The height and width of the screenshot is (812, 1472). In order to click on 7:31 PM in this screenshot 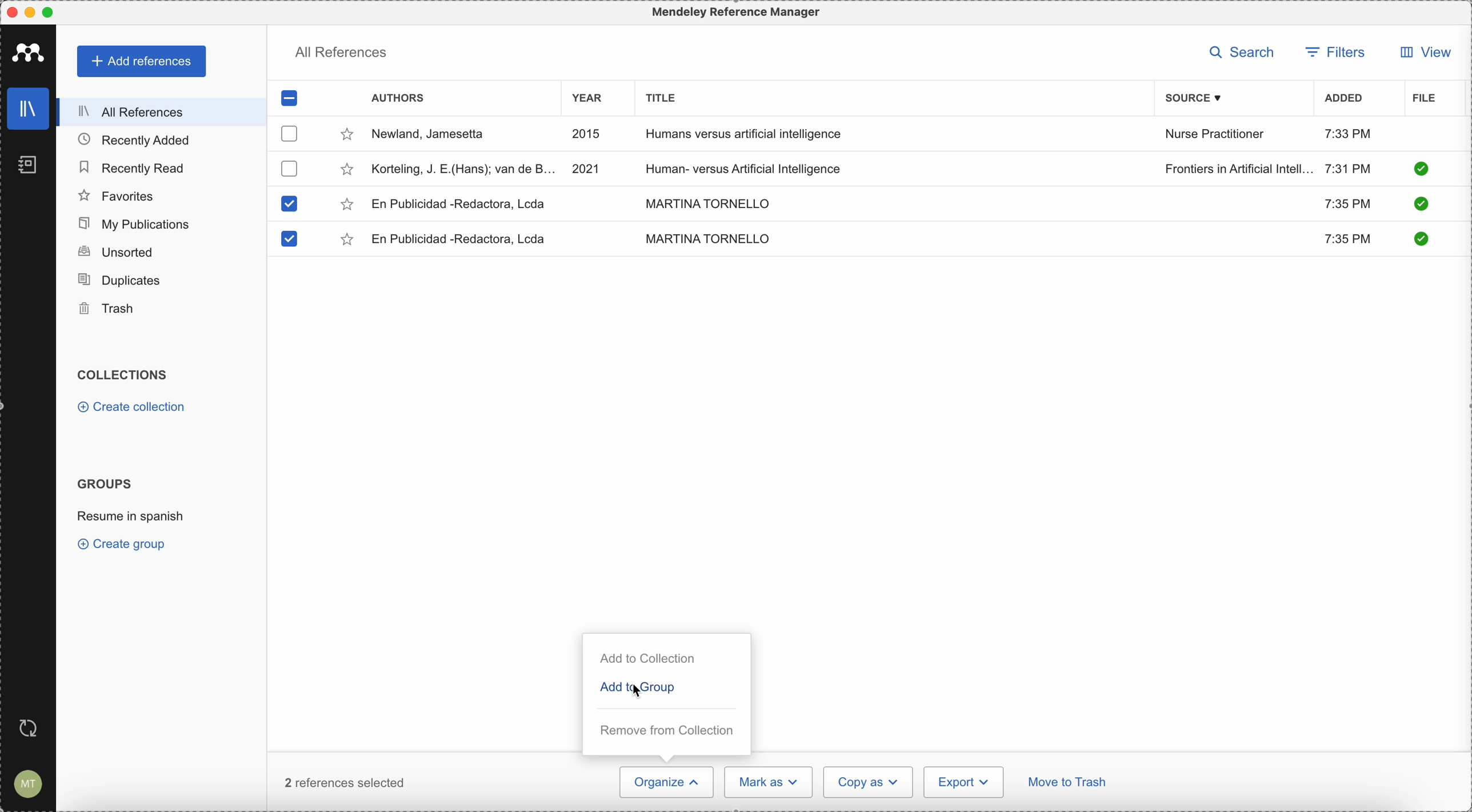, I will do `click(1348, 167)`.